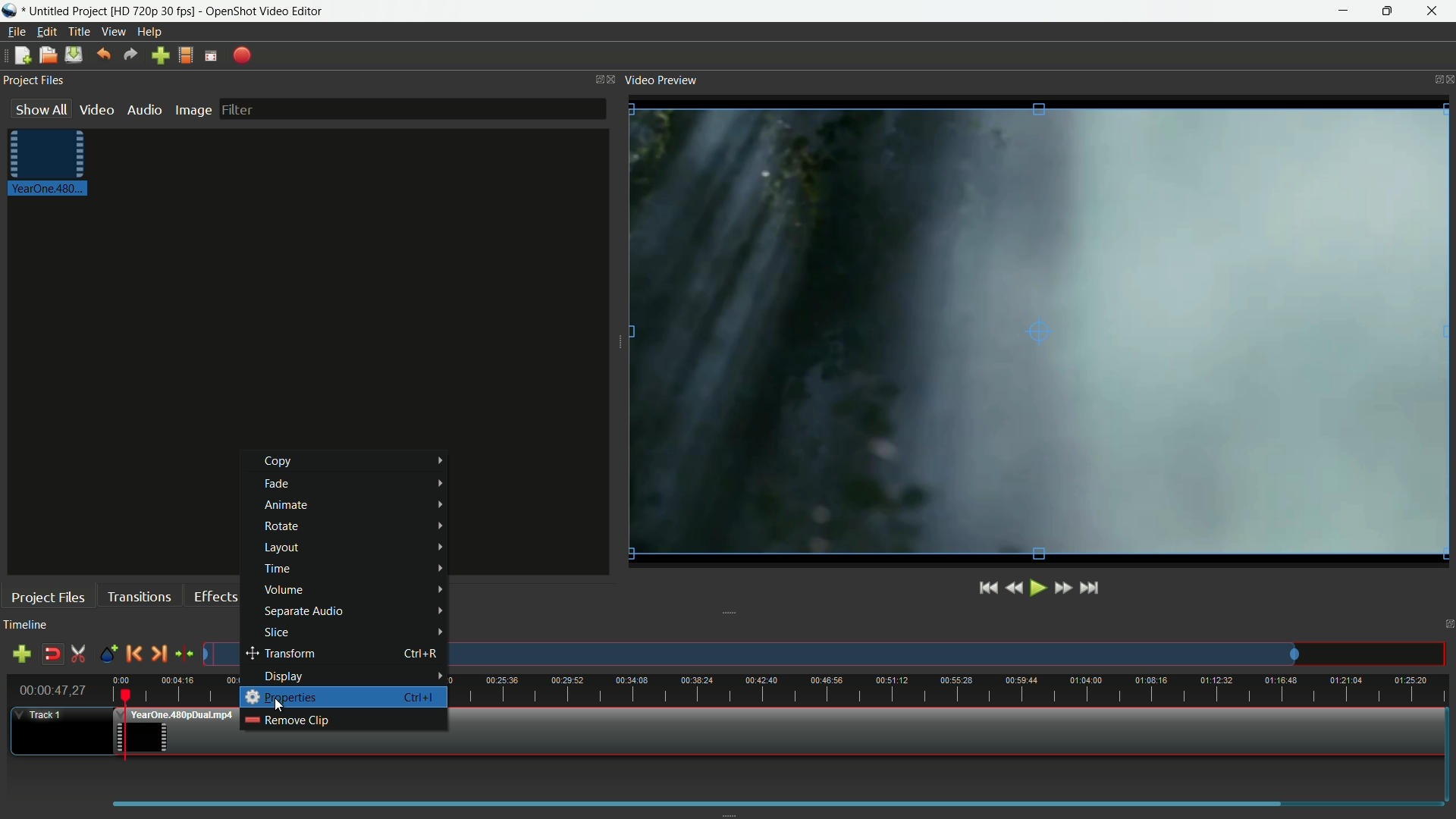  What do you see at coordinates (351, 611) in the screenshot?
I see `separate audio` at bounding box center [351, 611].